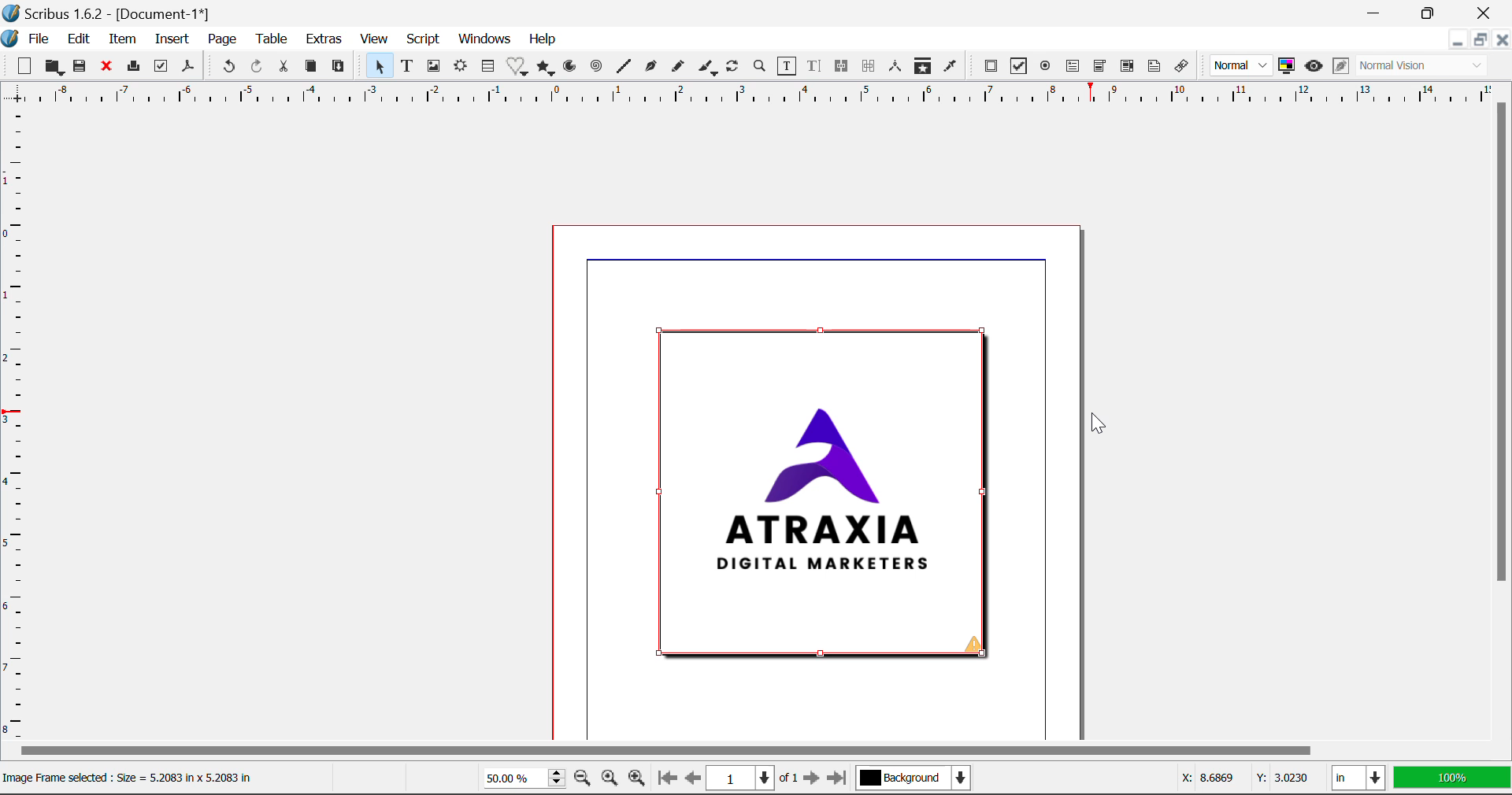  Describe the element at coordinates (690, 777) in the screenshot. I see `Previous page` at that location.